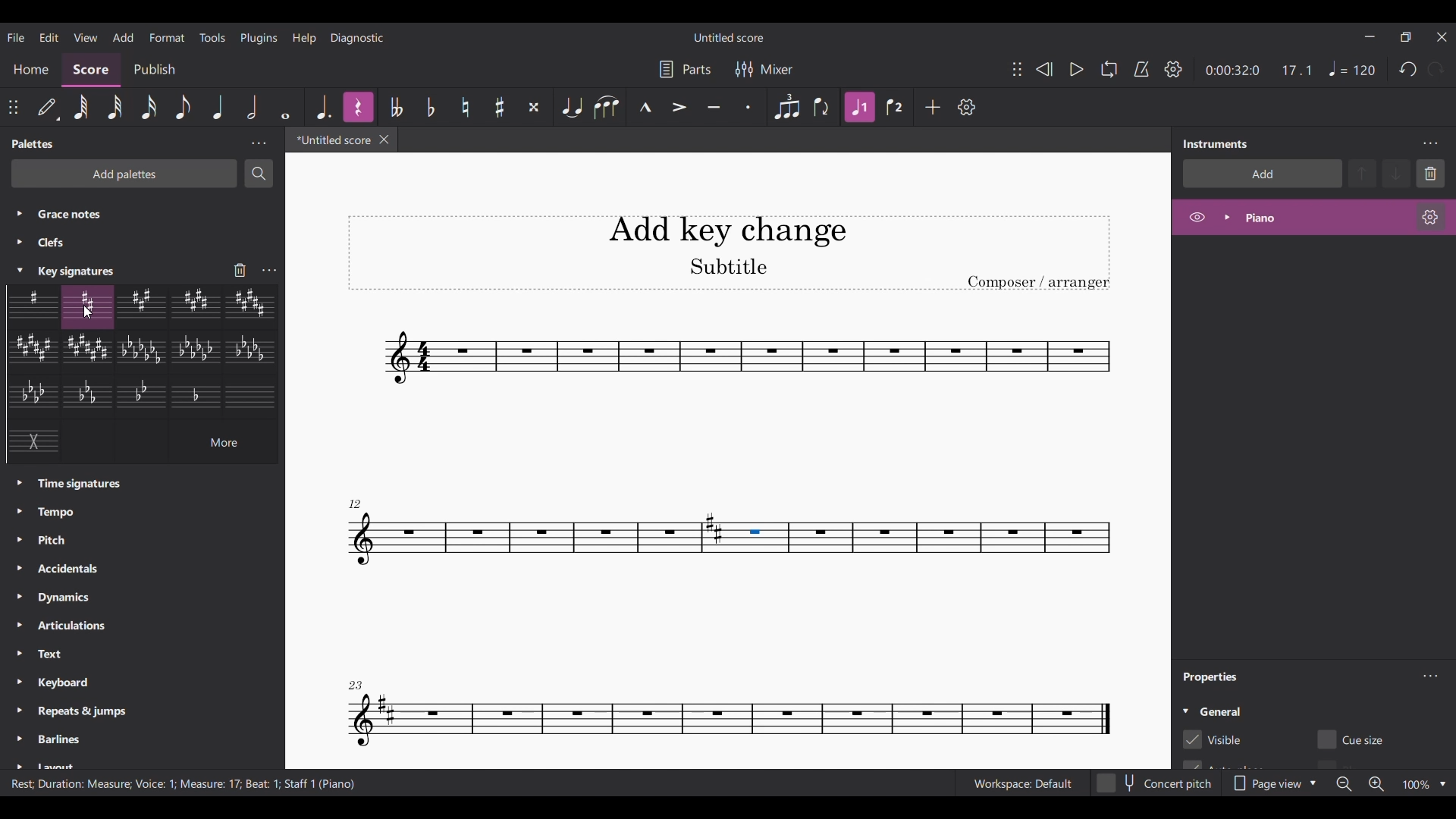 This screenshot has width=1456, height=819. I want to click on Undo, so click(1407, 68).